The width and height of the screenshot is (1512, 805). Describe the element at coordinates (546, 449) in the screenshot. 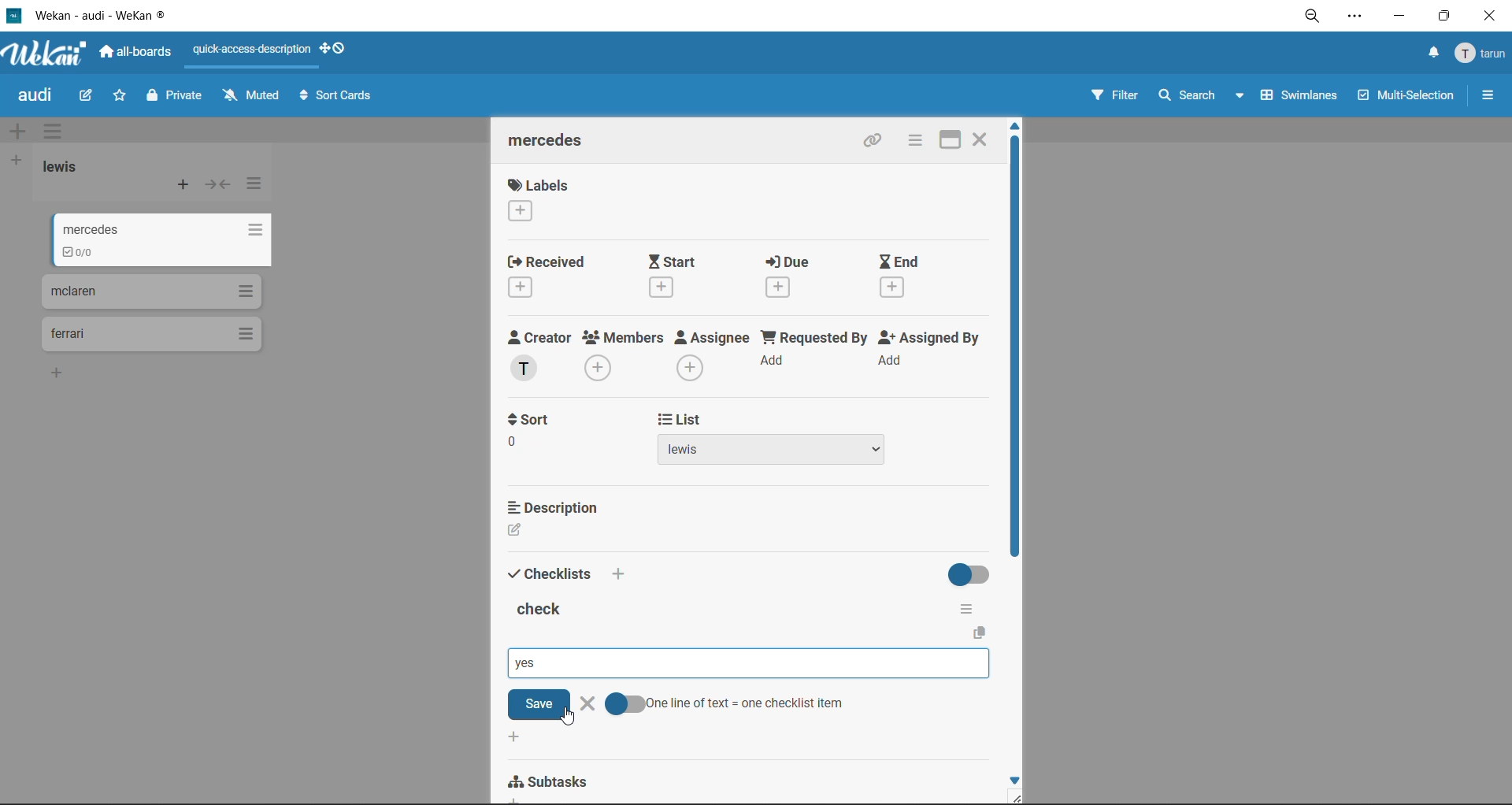

I see `sort` at that location.